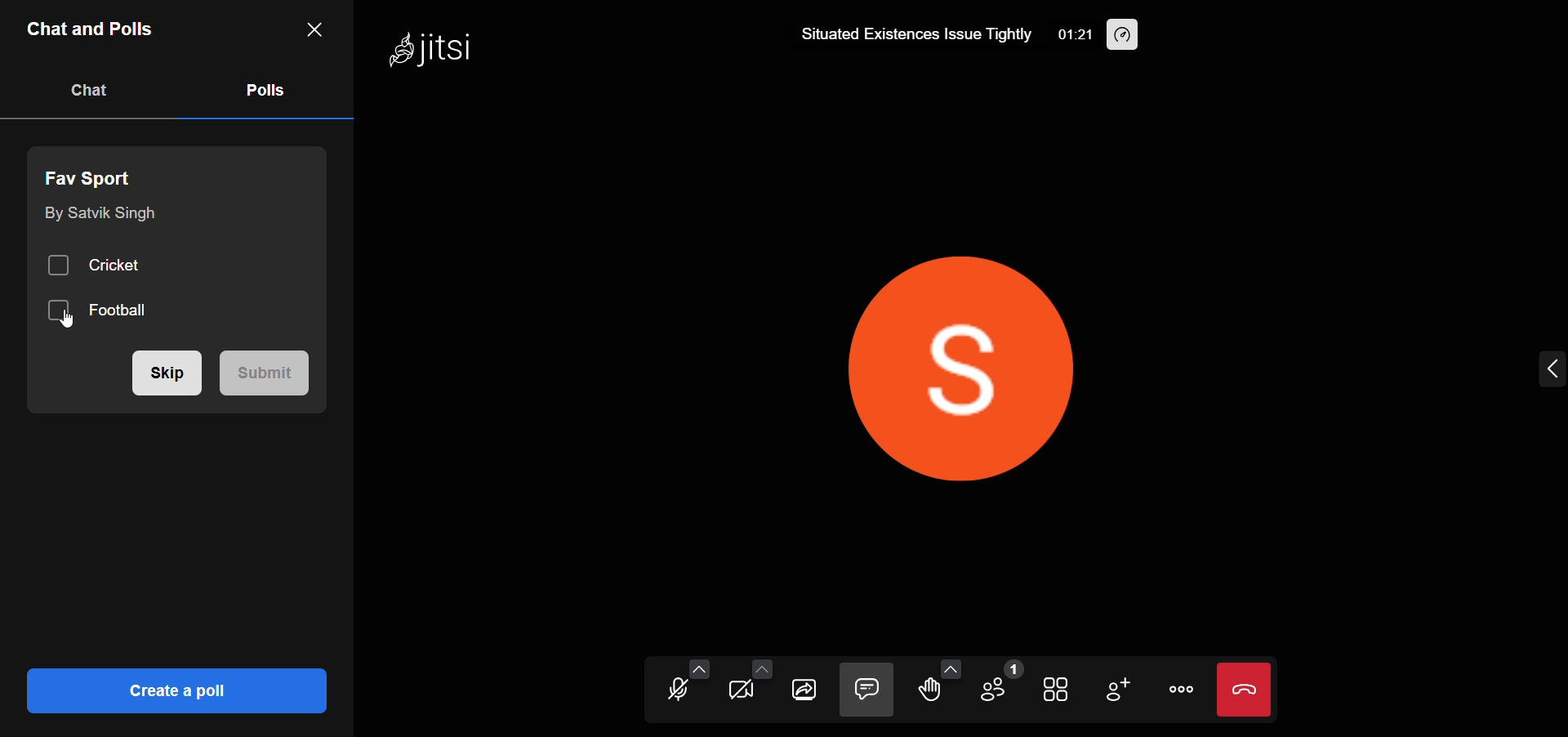  Describe the element at coordinates (1057, 689) in the screenshot. I see `tile view` at that location.